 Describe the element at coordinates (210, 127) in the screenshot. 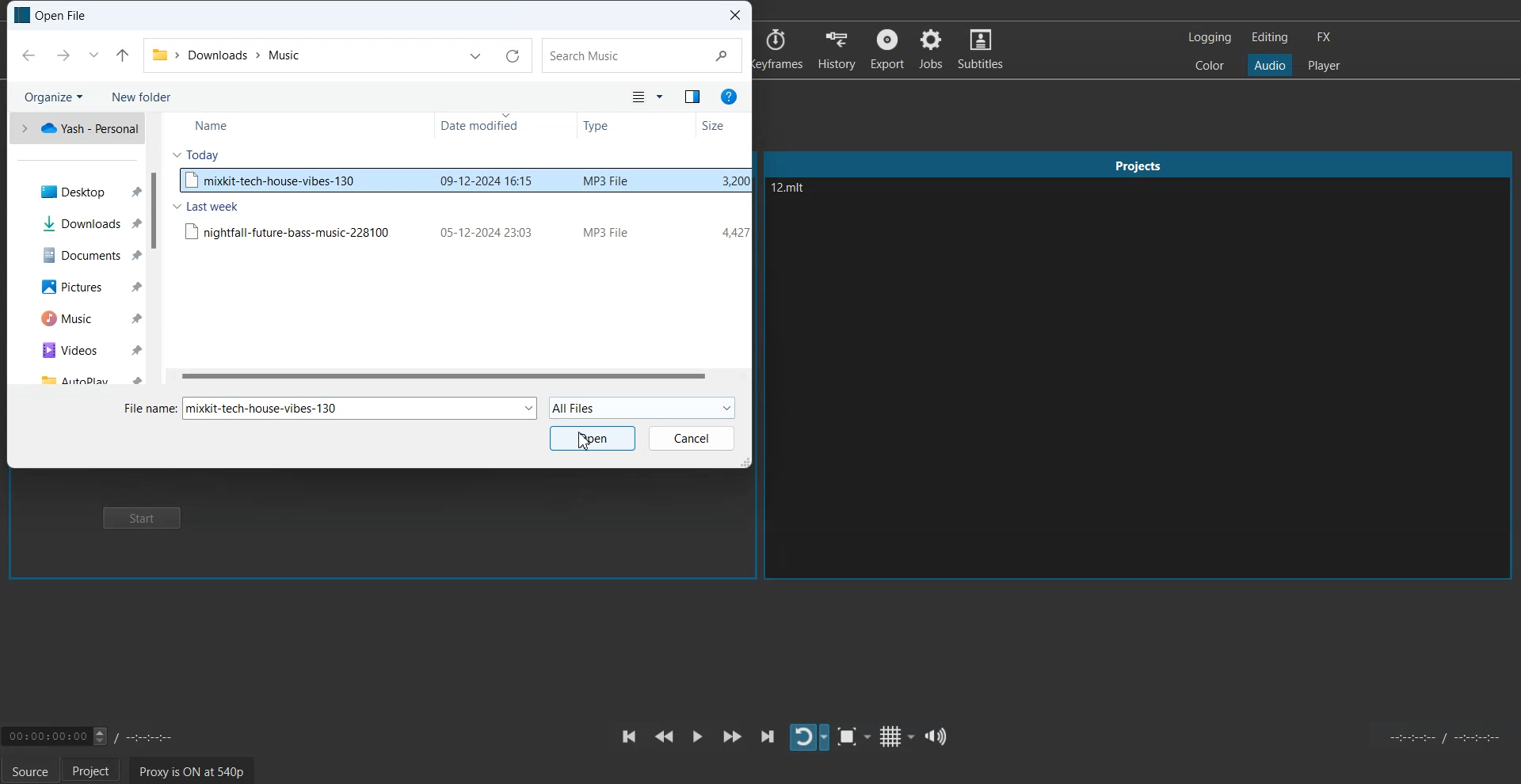

I see `Name` at that location.